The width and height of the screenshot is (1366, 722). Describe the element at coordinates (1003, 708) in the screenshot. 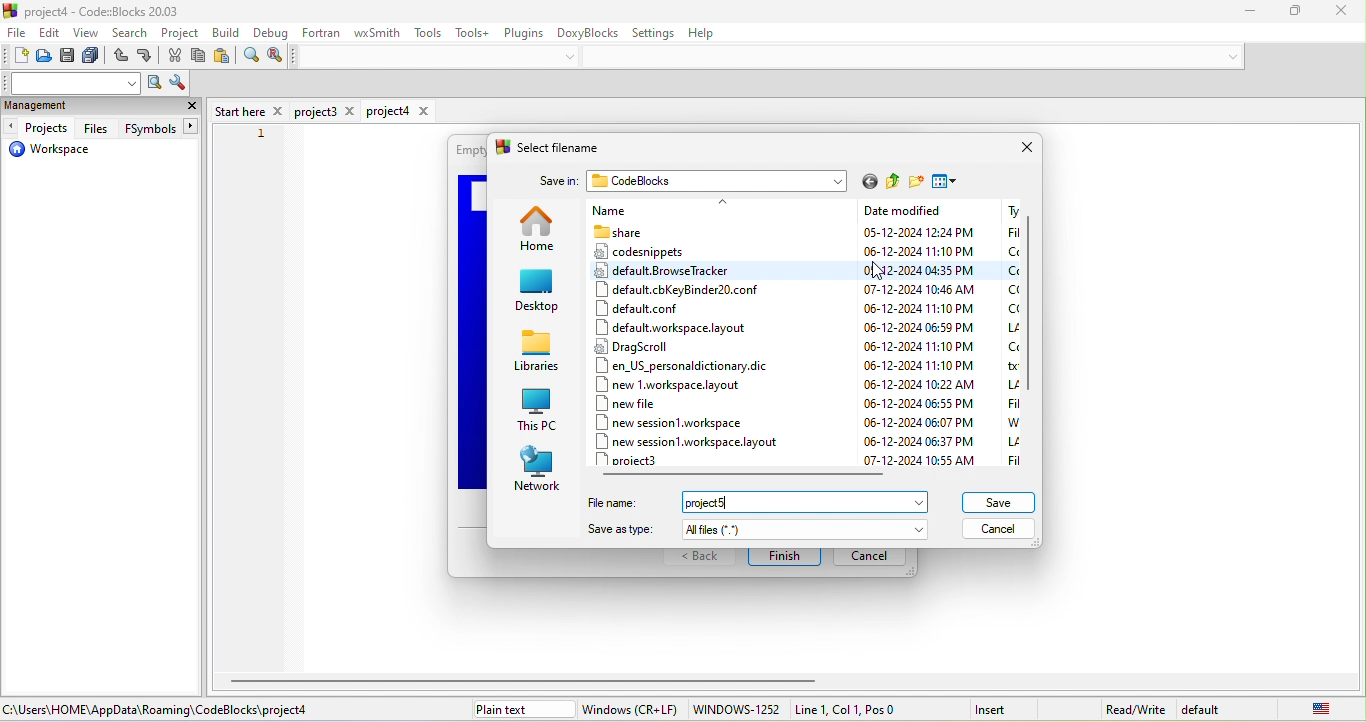

I see `insert` at that location.